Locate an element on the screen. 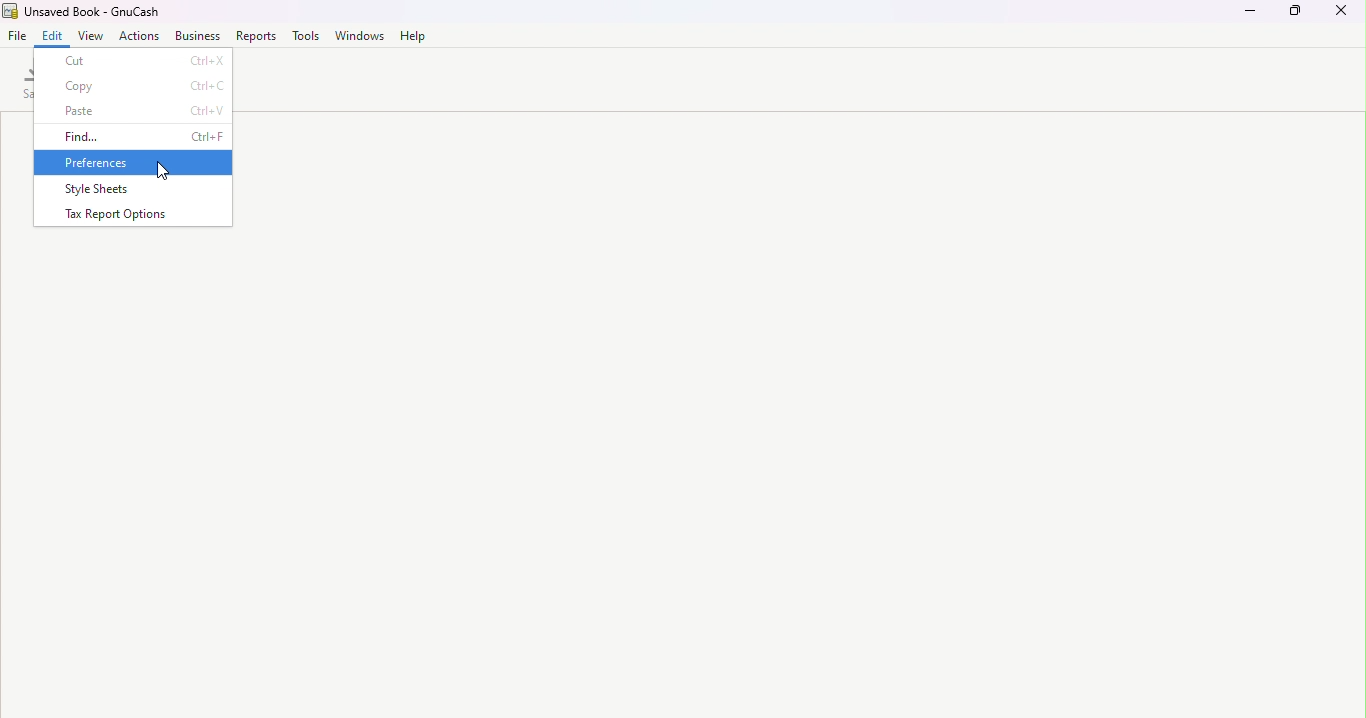 This screenshot has height=718, width=1366. Preferences is located at coordinates (131, 163).